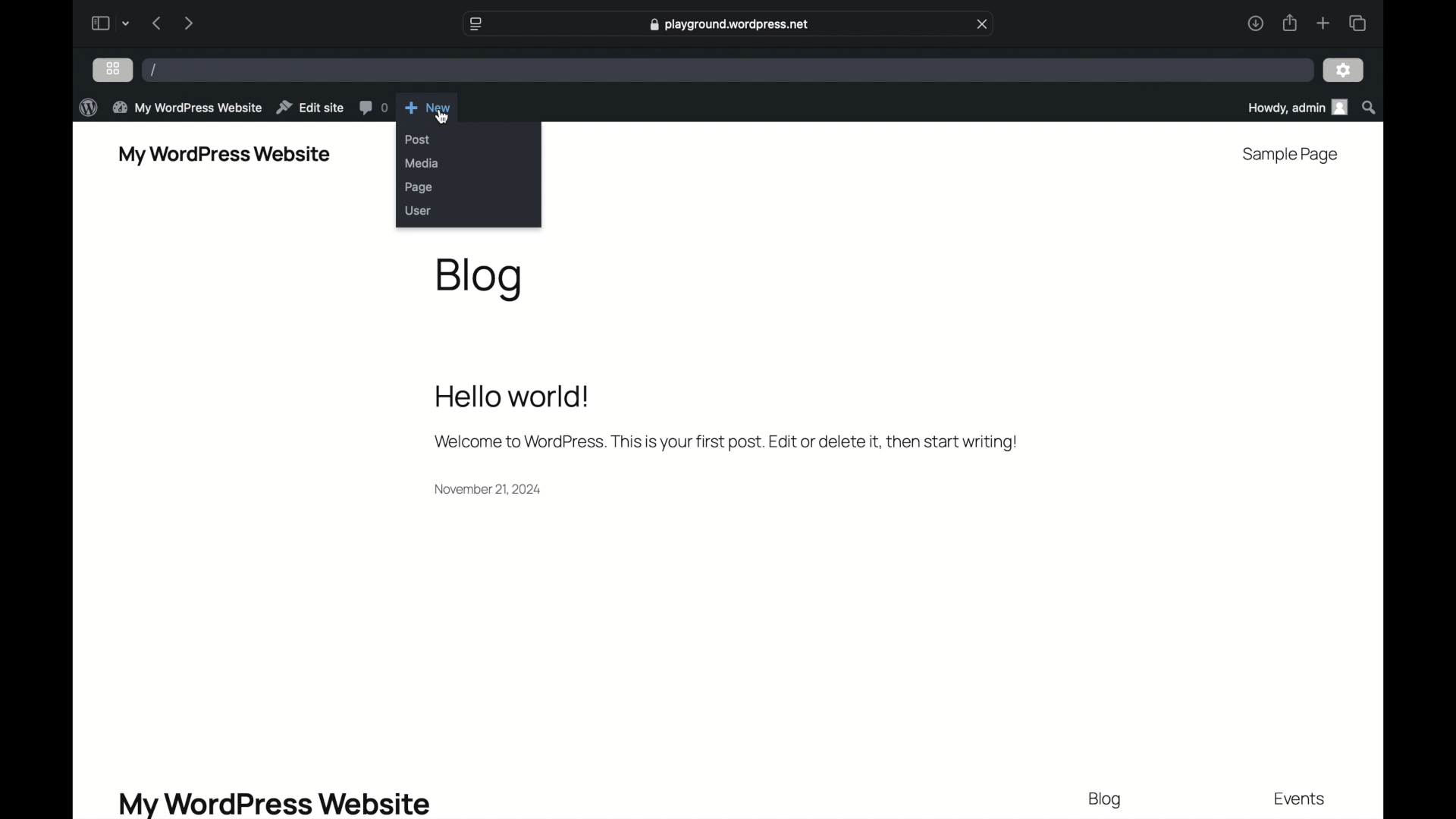 The width and height of the screenshot is (1456, 819). Describe the element at coordinates (1301, 800) in the screenshot. I see `events` at that location.